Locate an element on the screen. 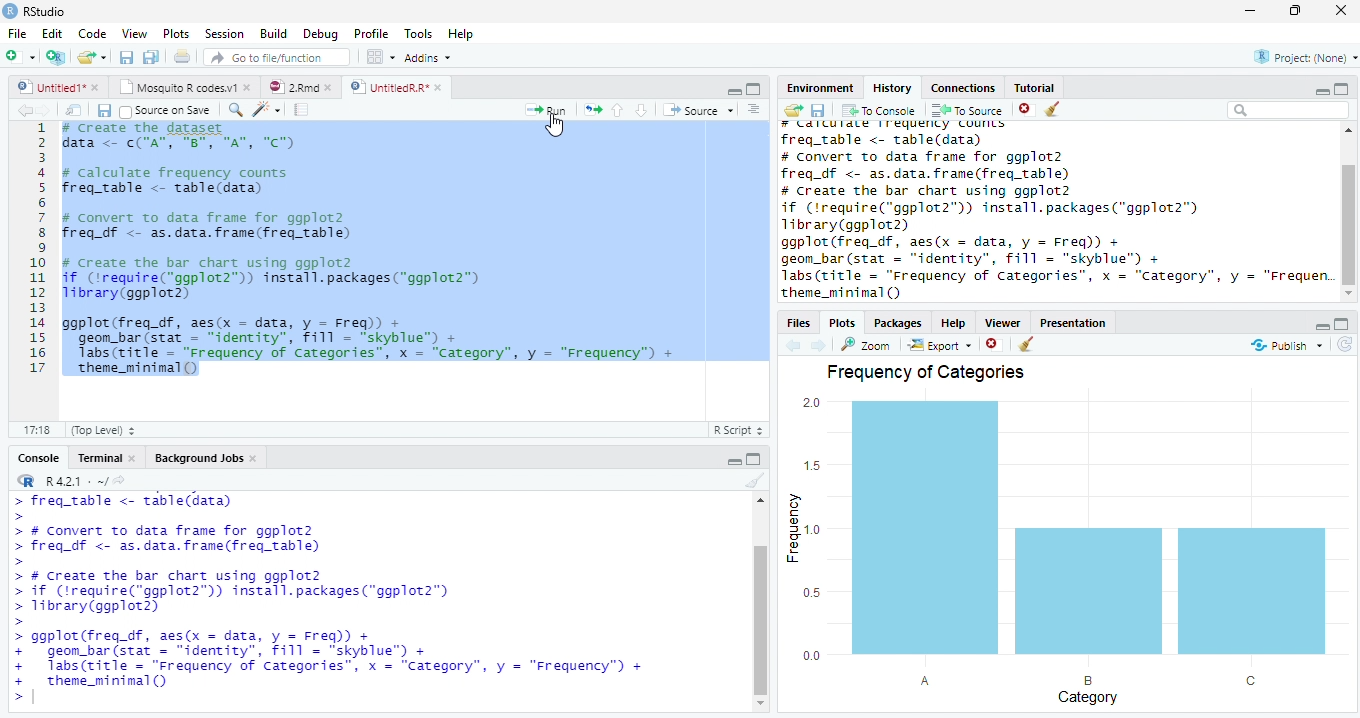  Code  is located at coordinates (269, 110).